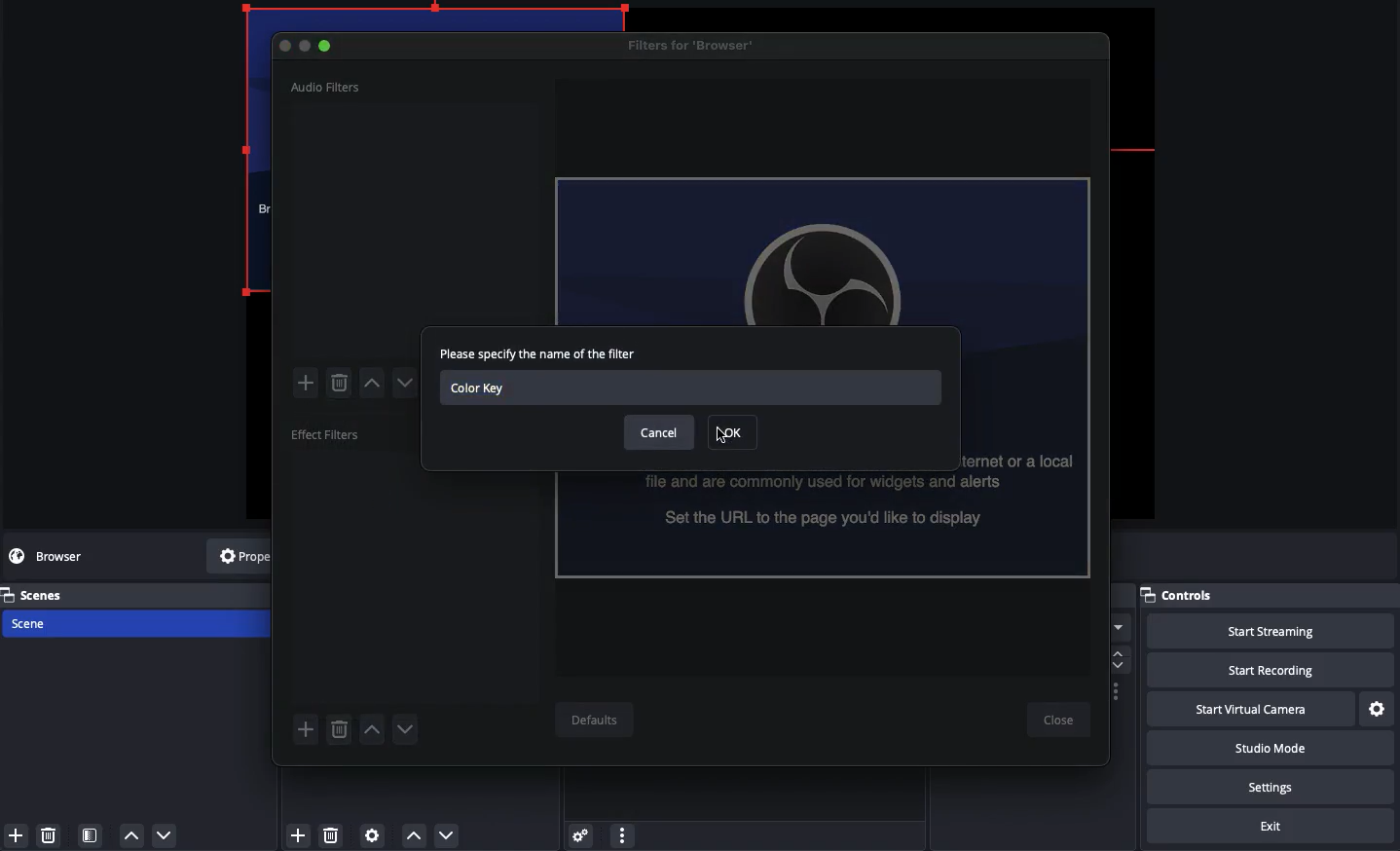 This screenshot has width=1400, height=851. Describe the element at coordinates (165, 833) in the screenshot. I see `down` at that location.